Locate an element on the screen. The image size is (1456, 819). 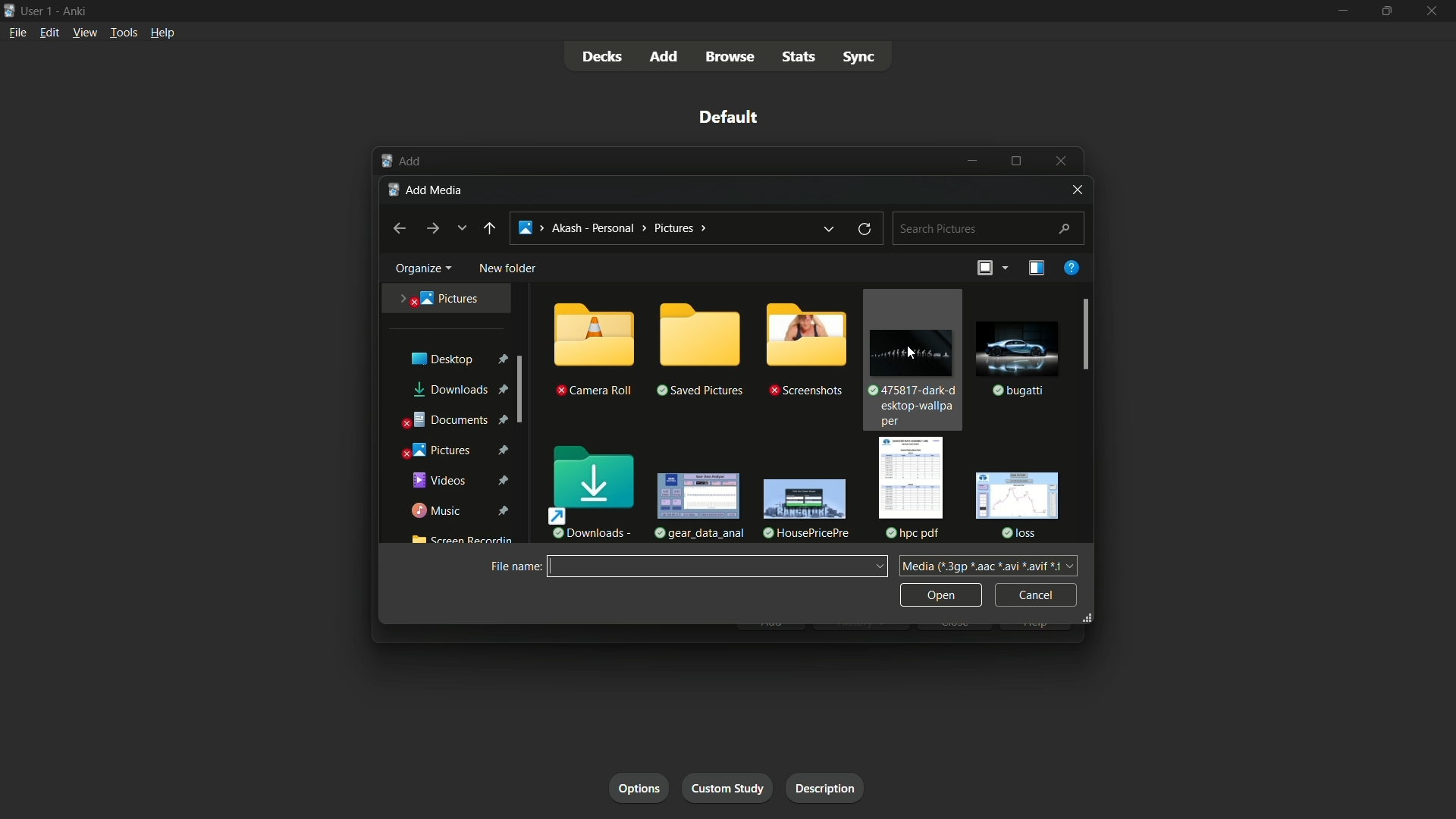
maximize is located at coordinates (1387, 11).